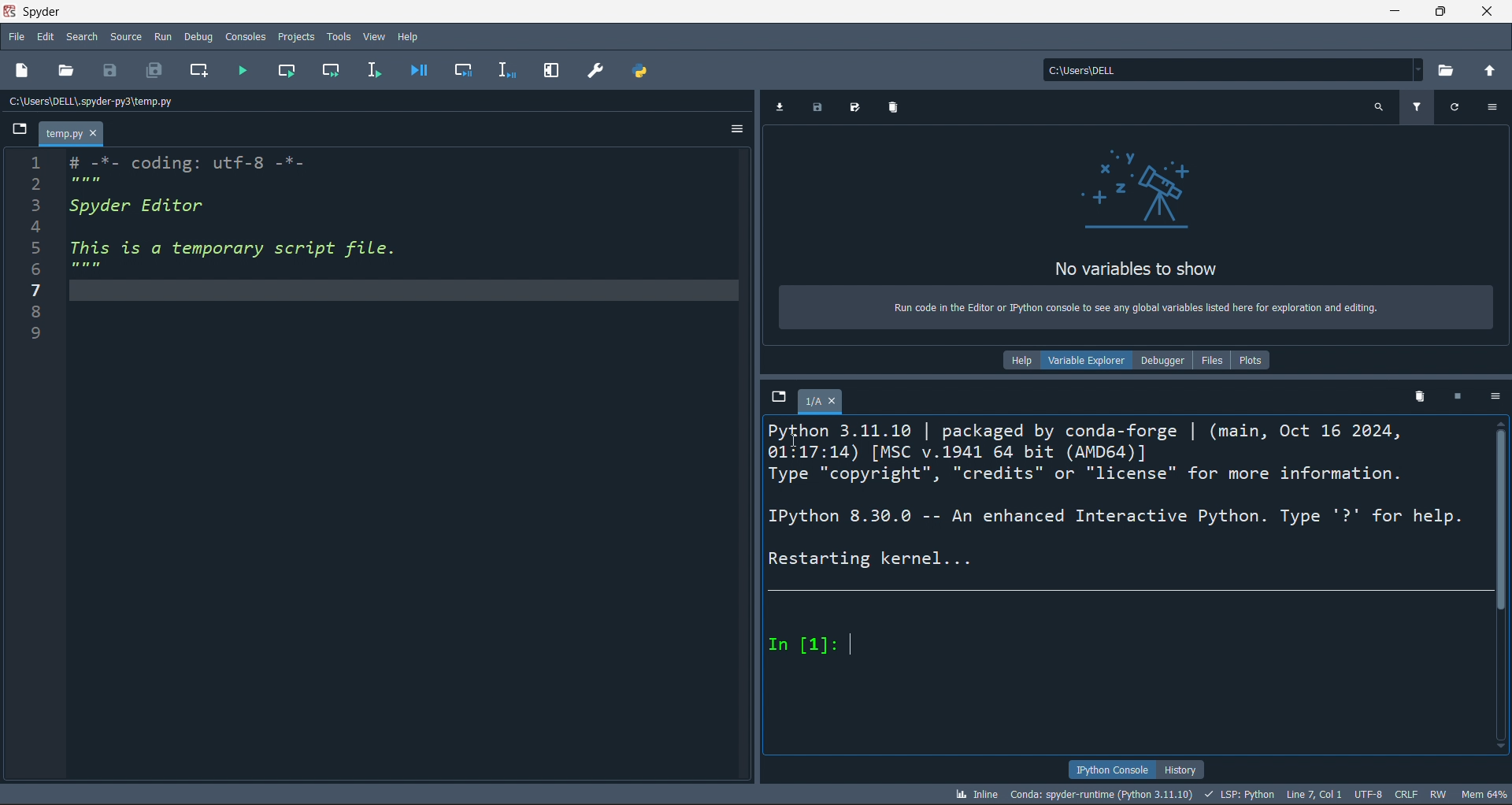 The image size is (1512, 805). What do you see at coordinates (1255, 360) in the screenshot?
I see `plots` at bounding box center [1255, 360].